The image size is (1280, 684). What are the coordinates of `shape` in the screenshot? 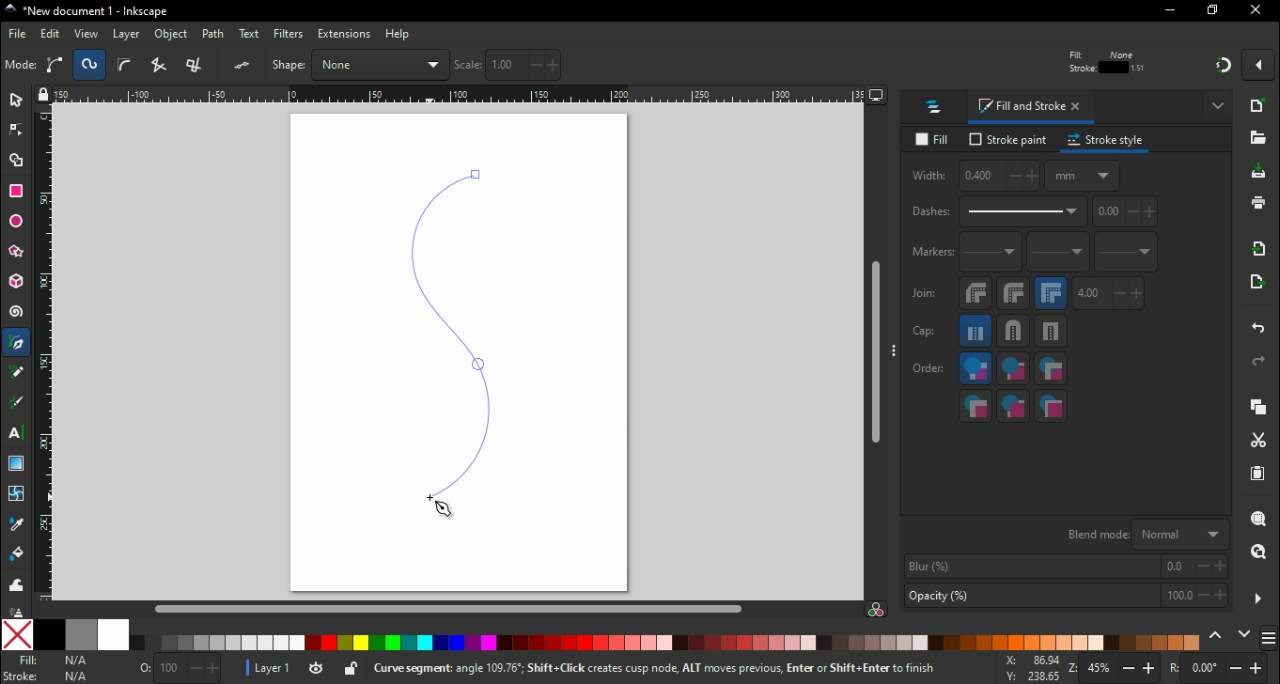 It's located at (360, 64).